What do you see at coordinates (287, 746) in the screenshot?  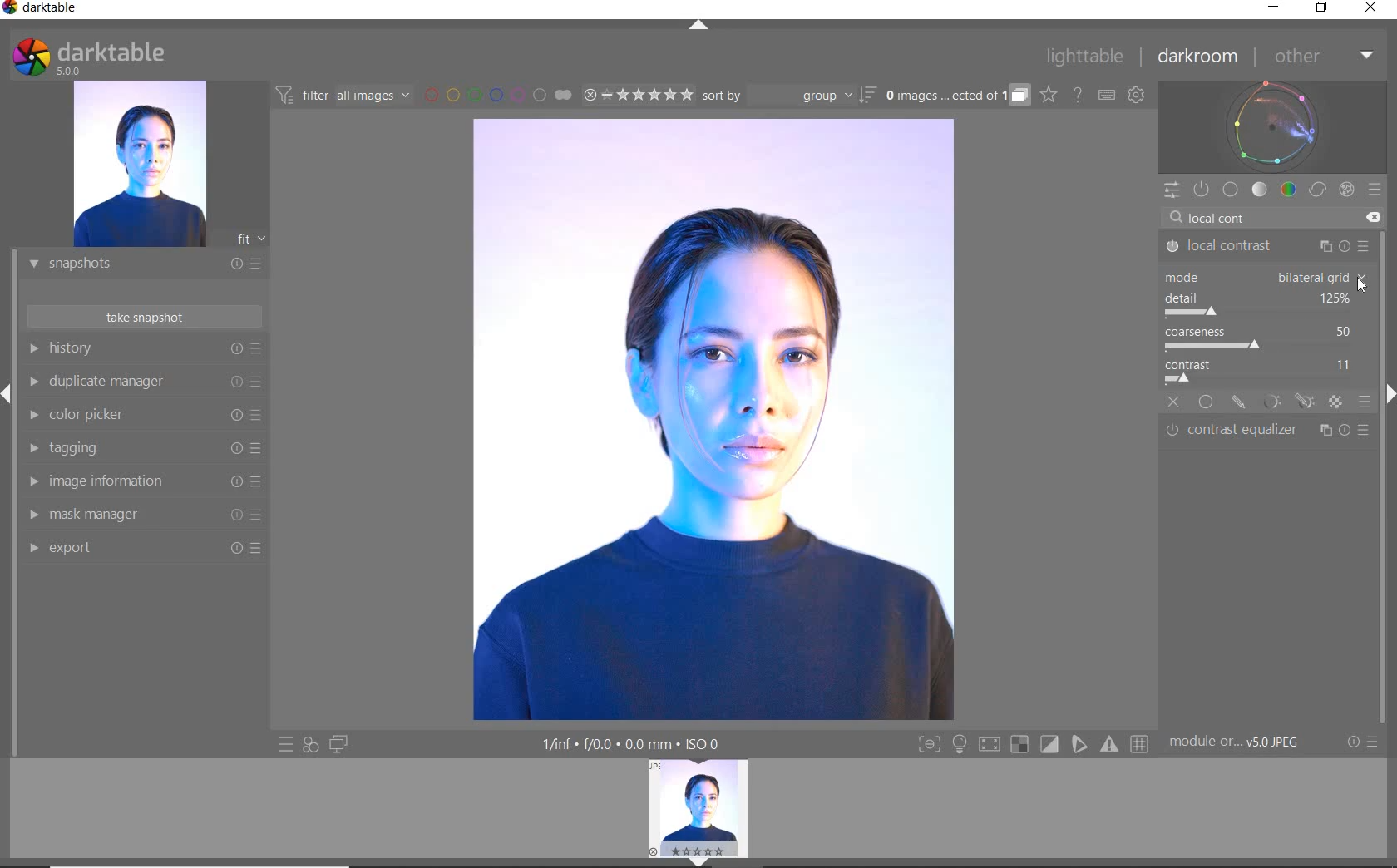 I see `QUICK ACCESS TO PRESET` at bounding box center [287, 746].